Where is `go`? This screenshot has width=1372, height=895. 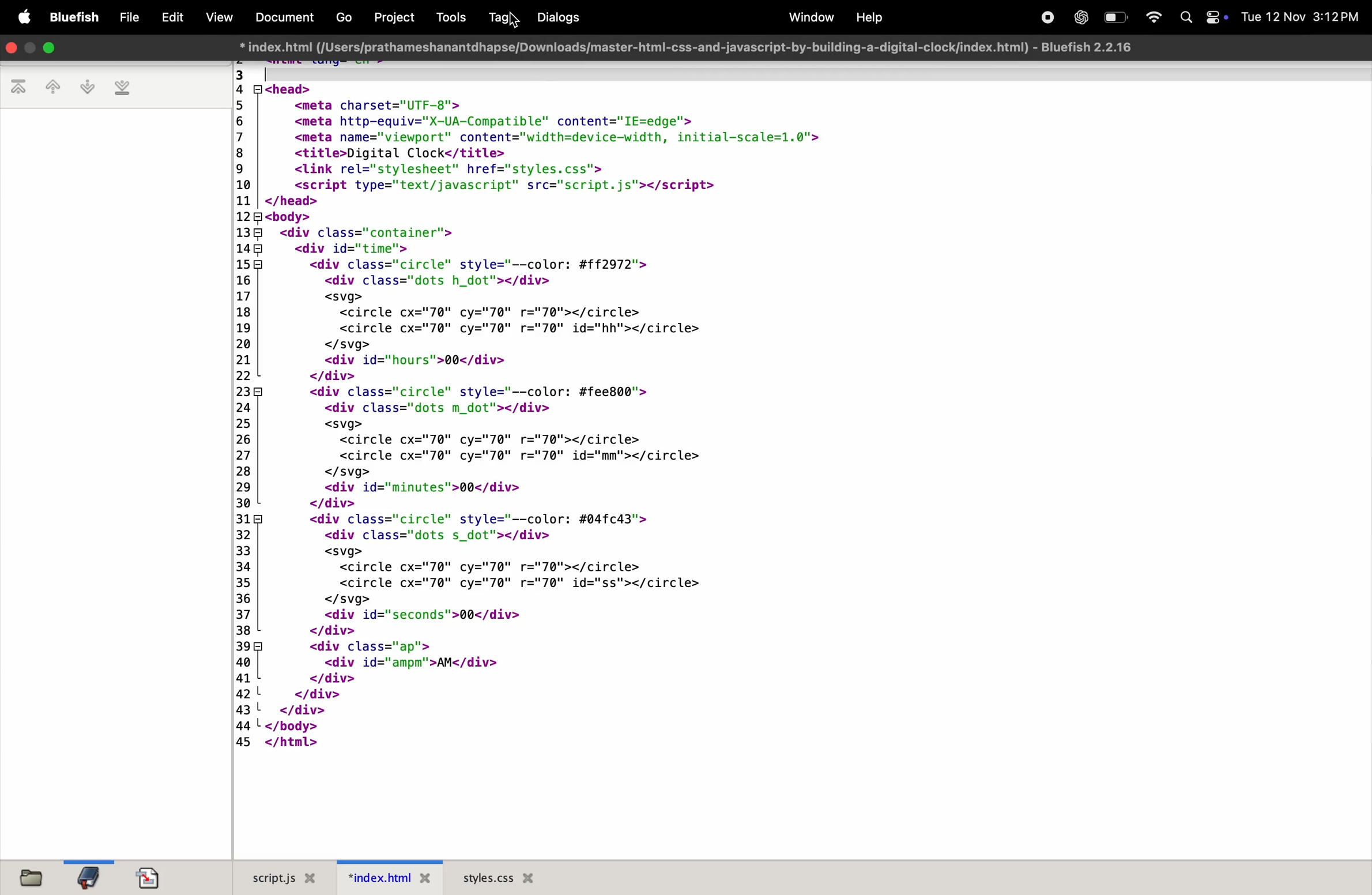 go is located at coordinates (342, 18).